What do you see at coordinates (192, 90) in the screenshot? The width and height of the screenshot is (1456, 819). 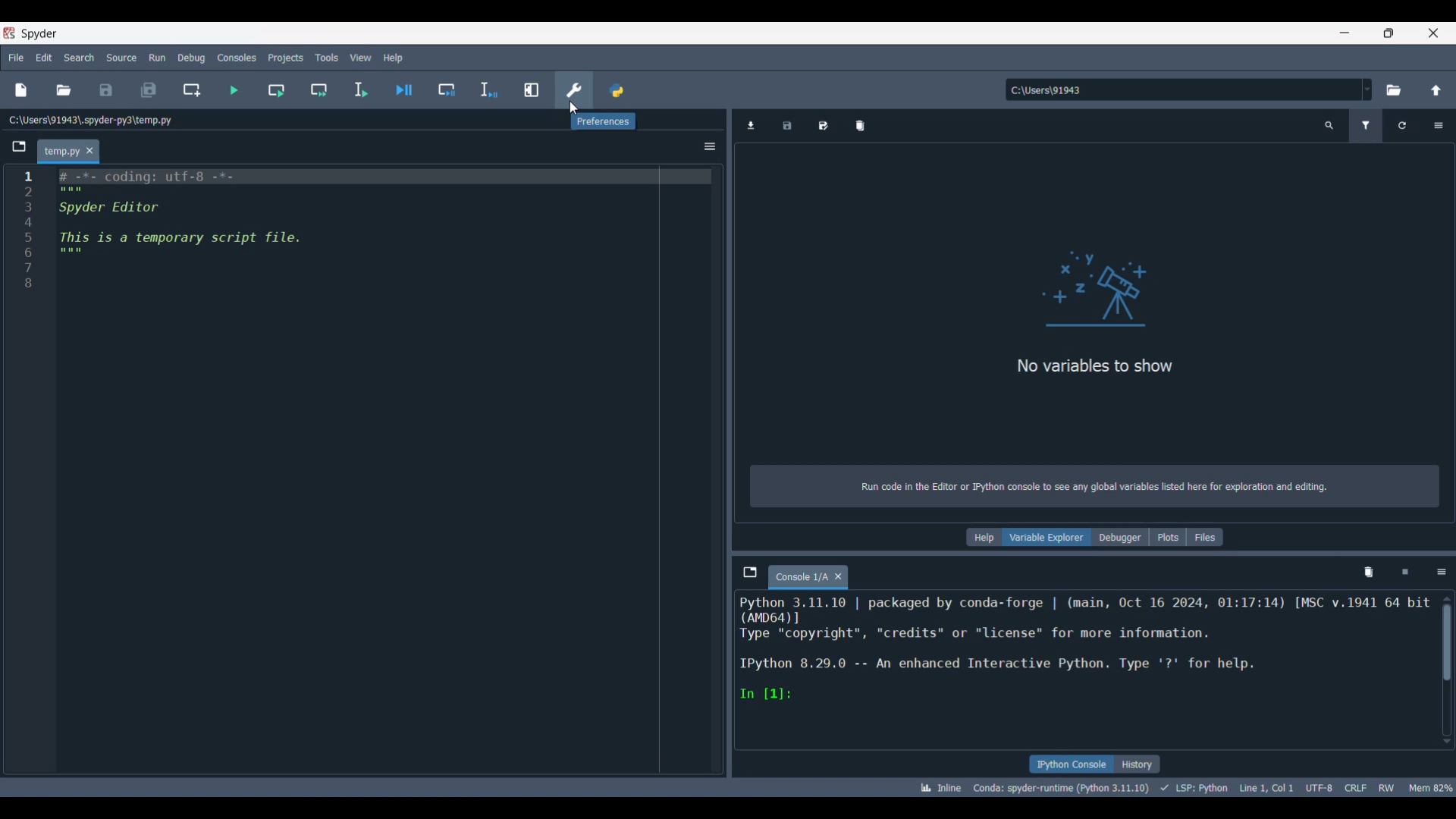 I see `Create new cell at current line` at bounding box center [192, 90].